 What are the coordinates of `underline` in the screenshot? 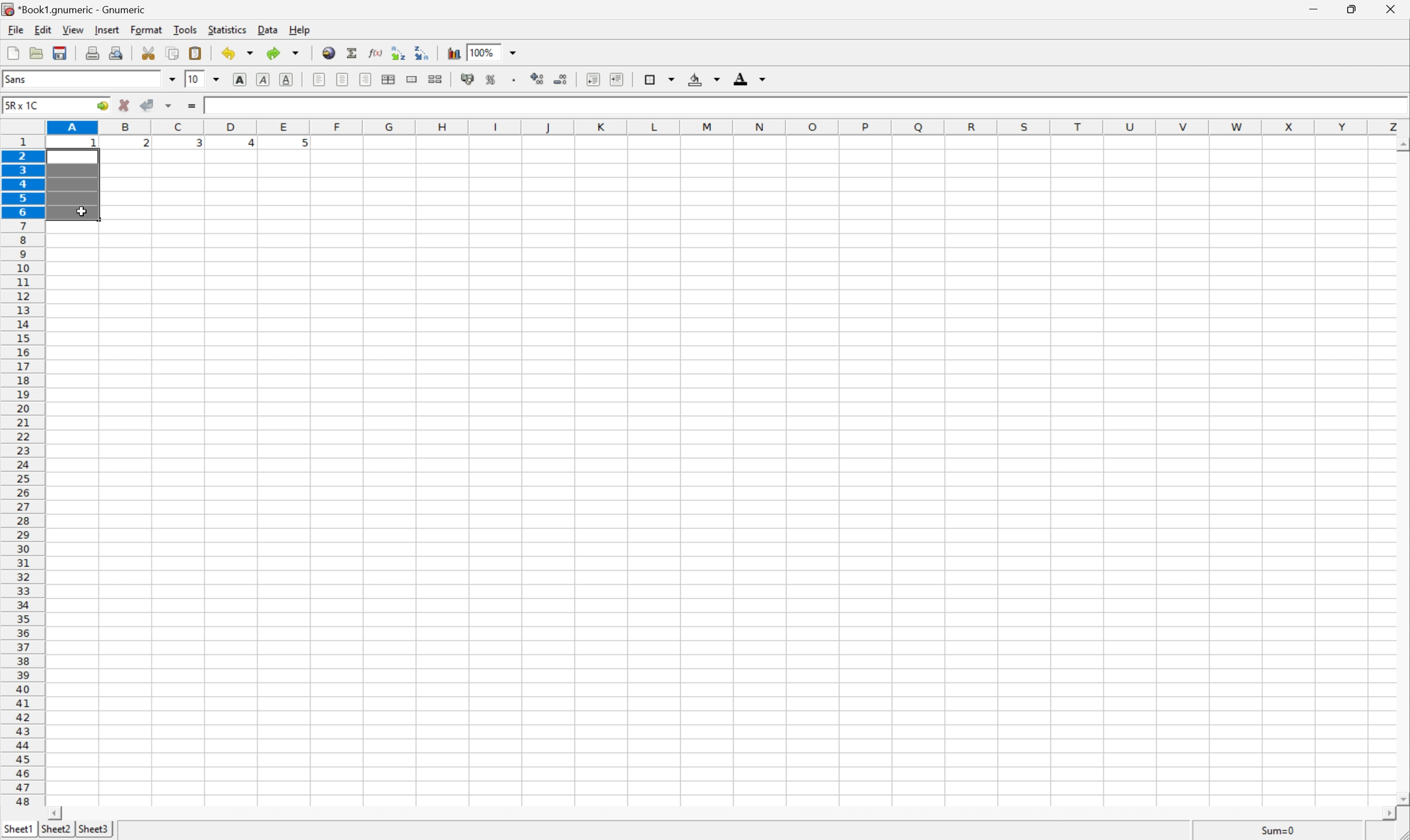 It's located at (288, 79).